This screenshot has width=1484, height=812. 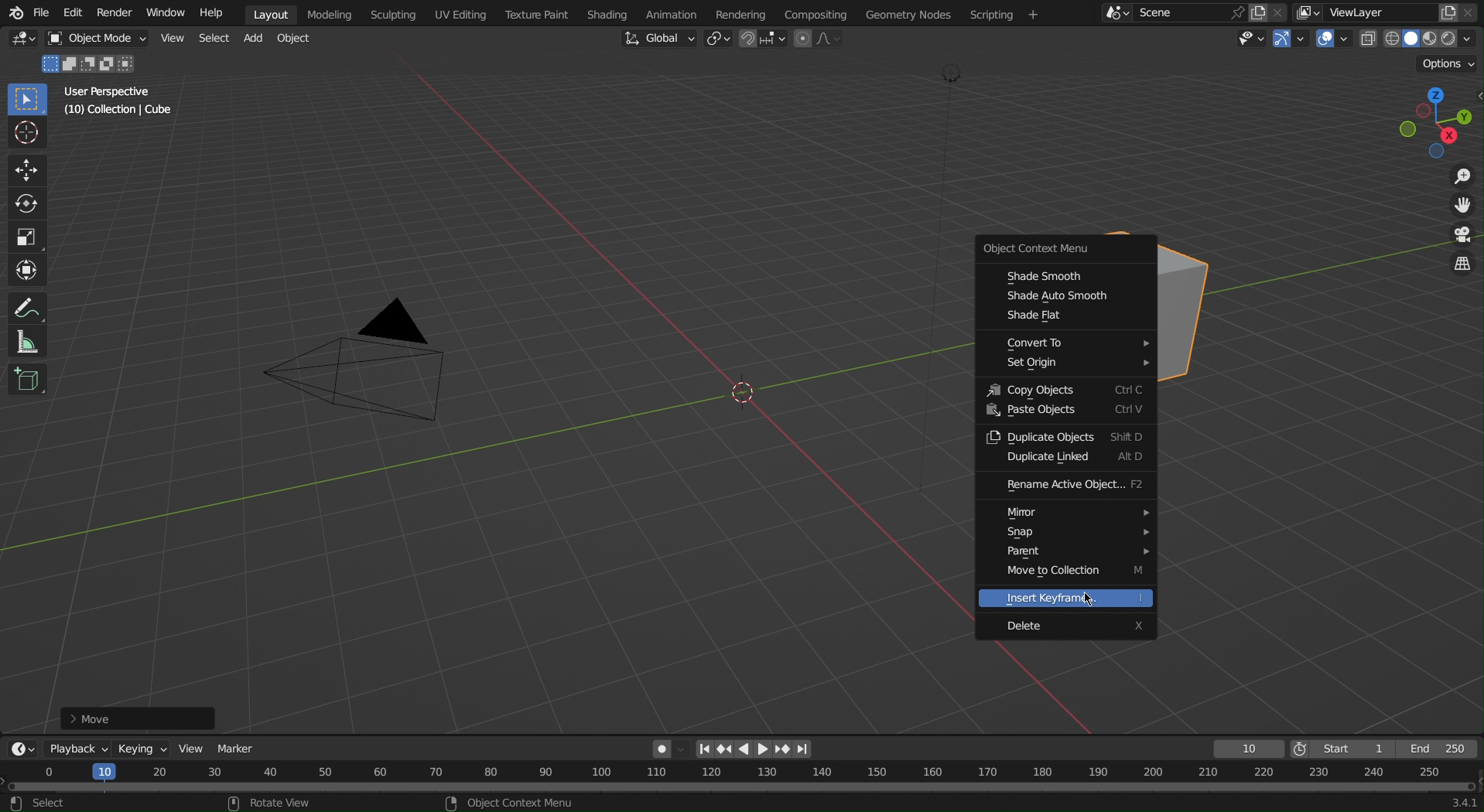 I want to click on Compositing, so click(x=823, y=12).